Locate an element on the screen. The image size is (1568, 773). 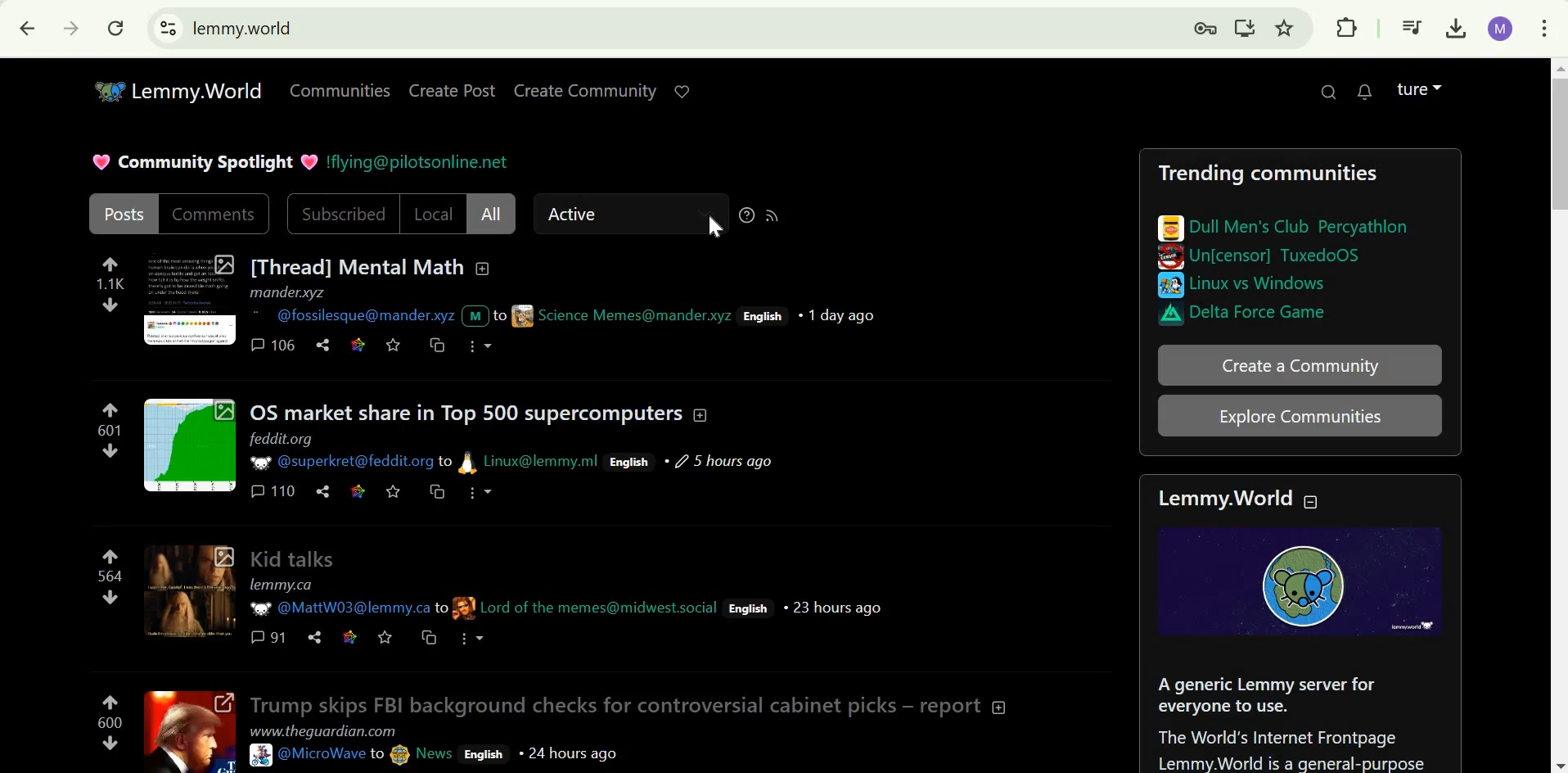
upvote is located at coordinates (113, 557).